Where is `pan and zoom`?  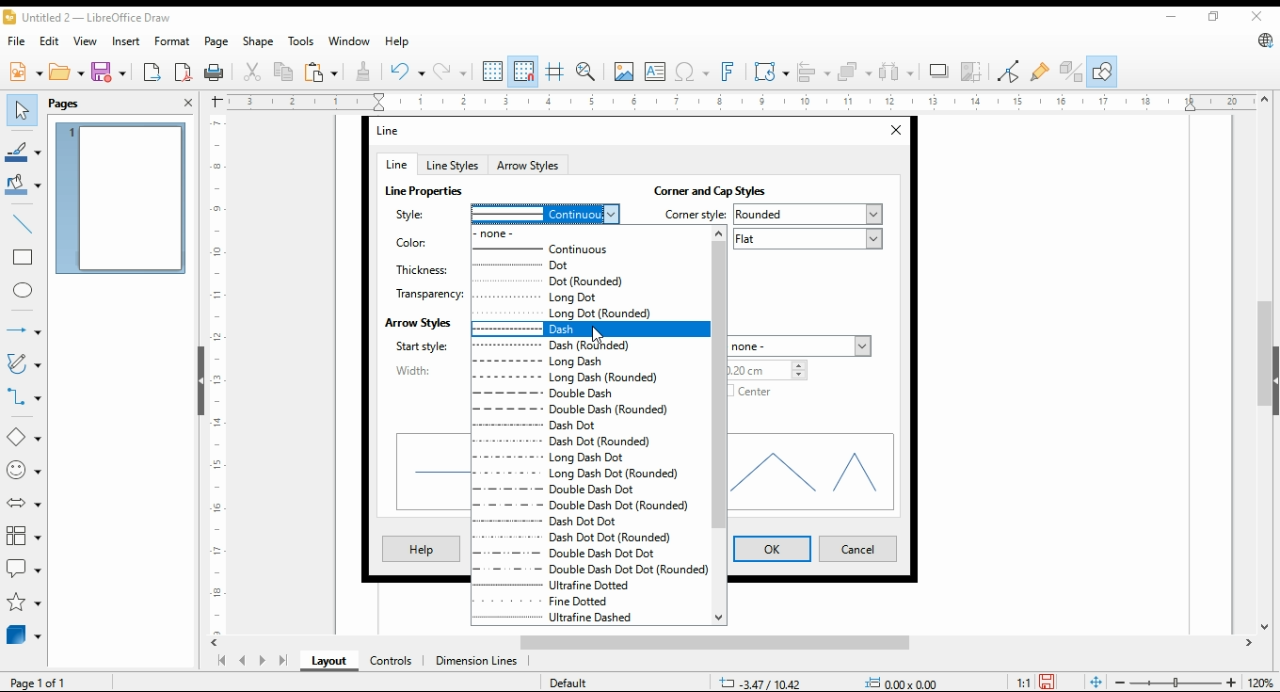
pan and zoom is located at coordinates (587, 72).